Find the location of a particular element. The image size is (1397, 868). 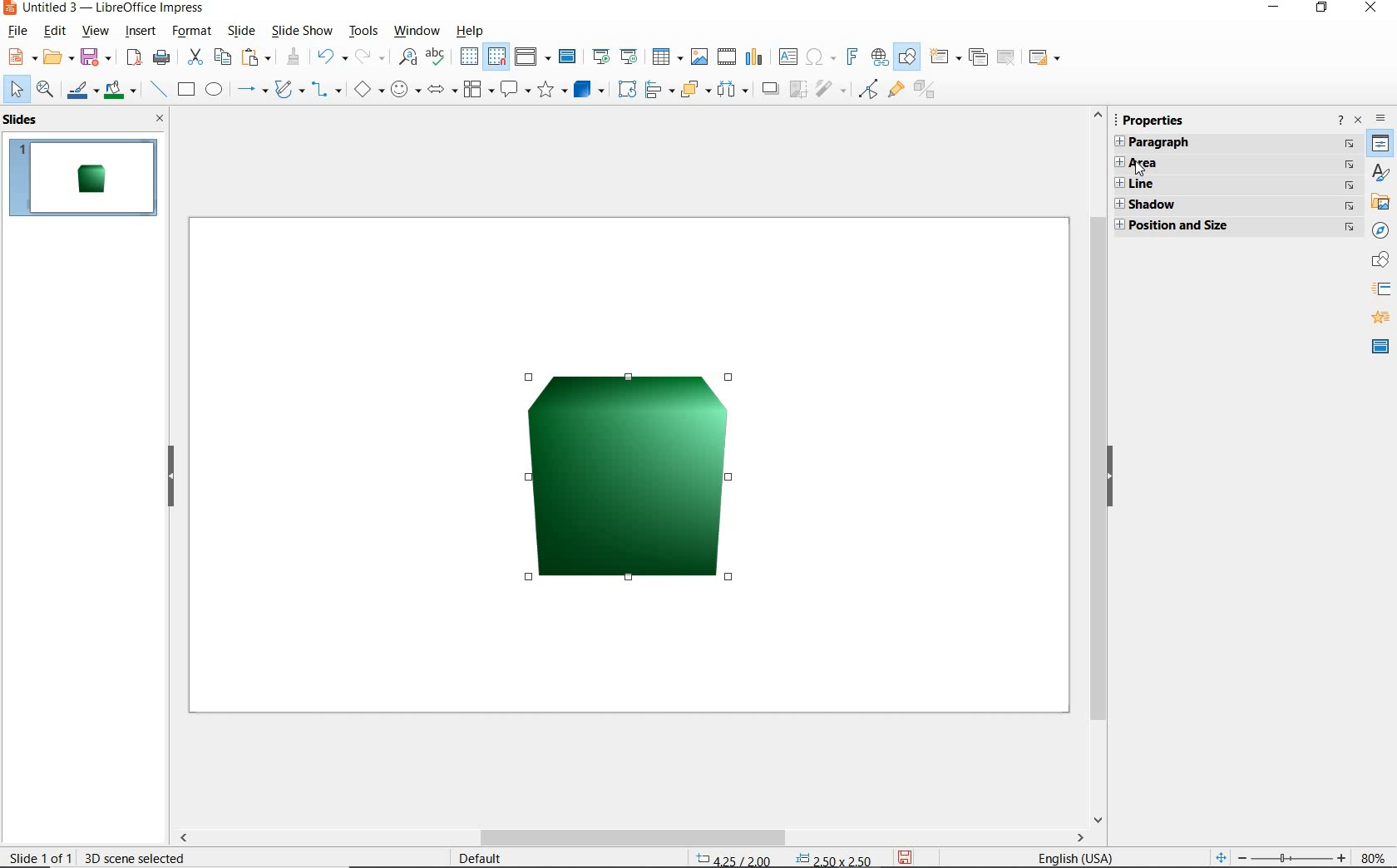

copy is located at coordinates (224, 57).